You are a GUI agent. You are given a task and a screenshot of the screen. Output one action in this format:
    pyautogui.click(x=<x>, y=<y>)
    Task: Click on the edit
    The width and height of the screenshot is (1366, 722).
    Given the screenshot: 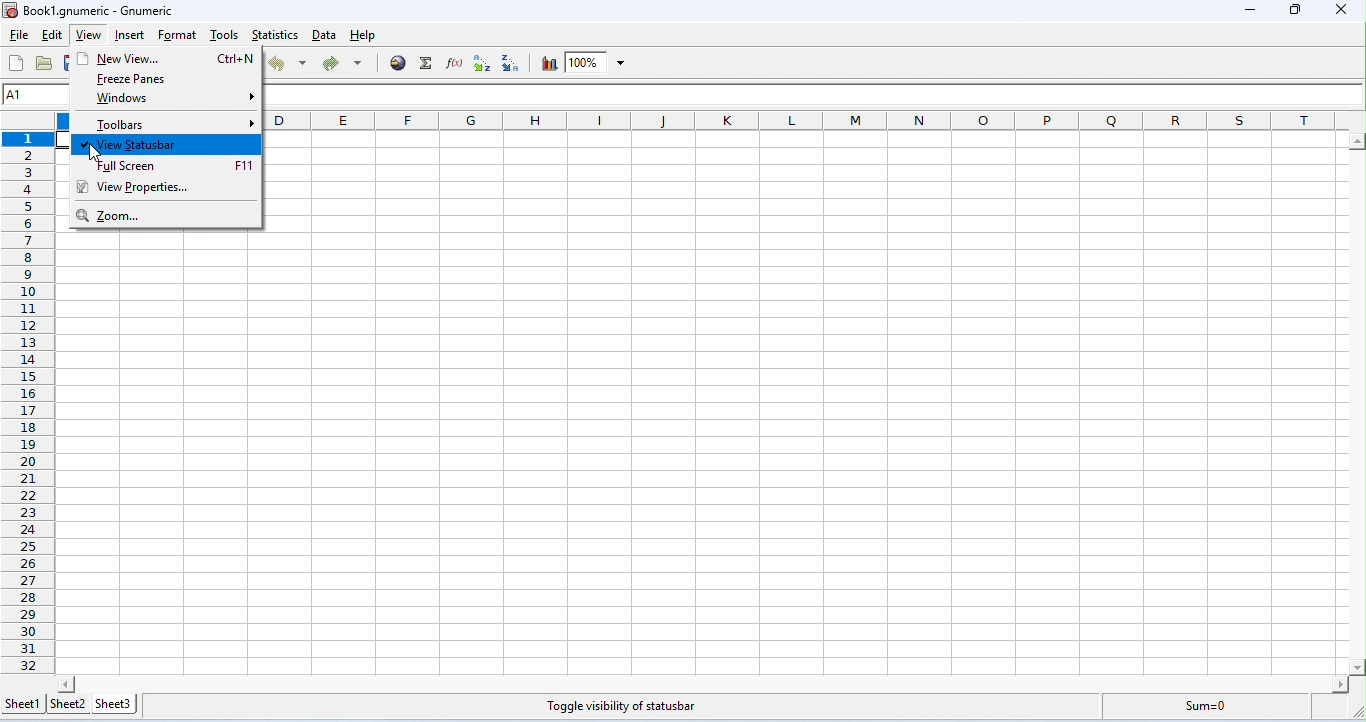 What is the action you would take?
    pyautogui.click(x=52, y=36)
    